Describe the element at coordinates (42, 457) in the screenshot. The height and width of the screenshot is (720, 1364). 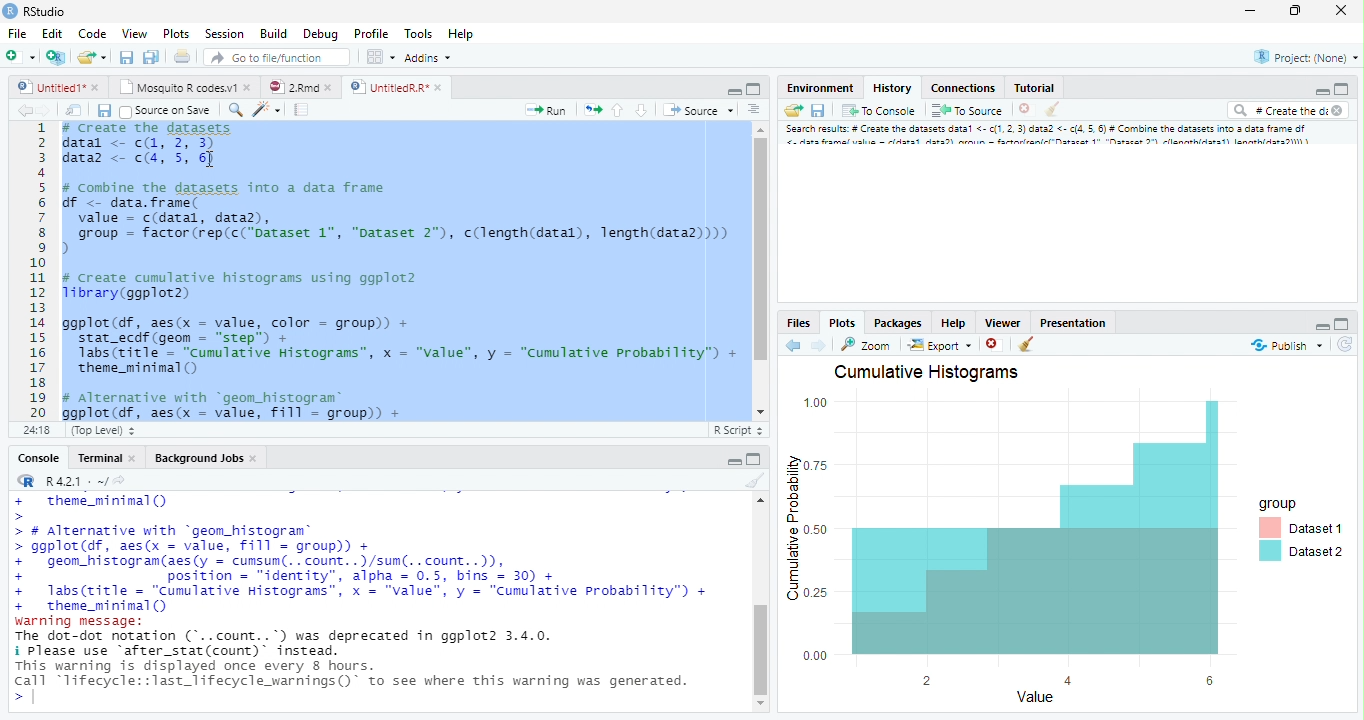
I see `Console` at that location.